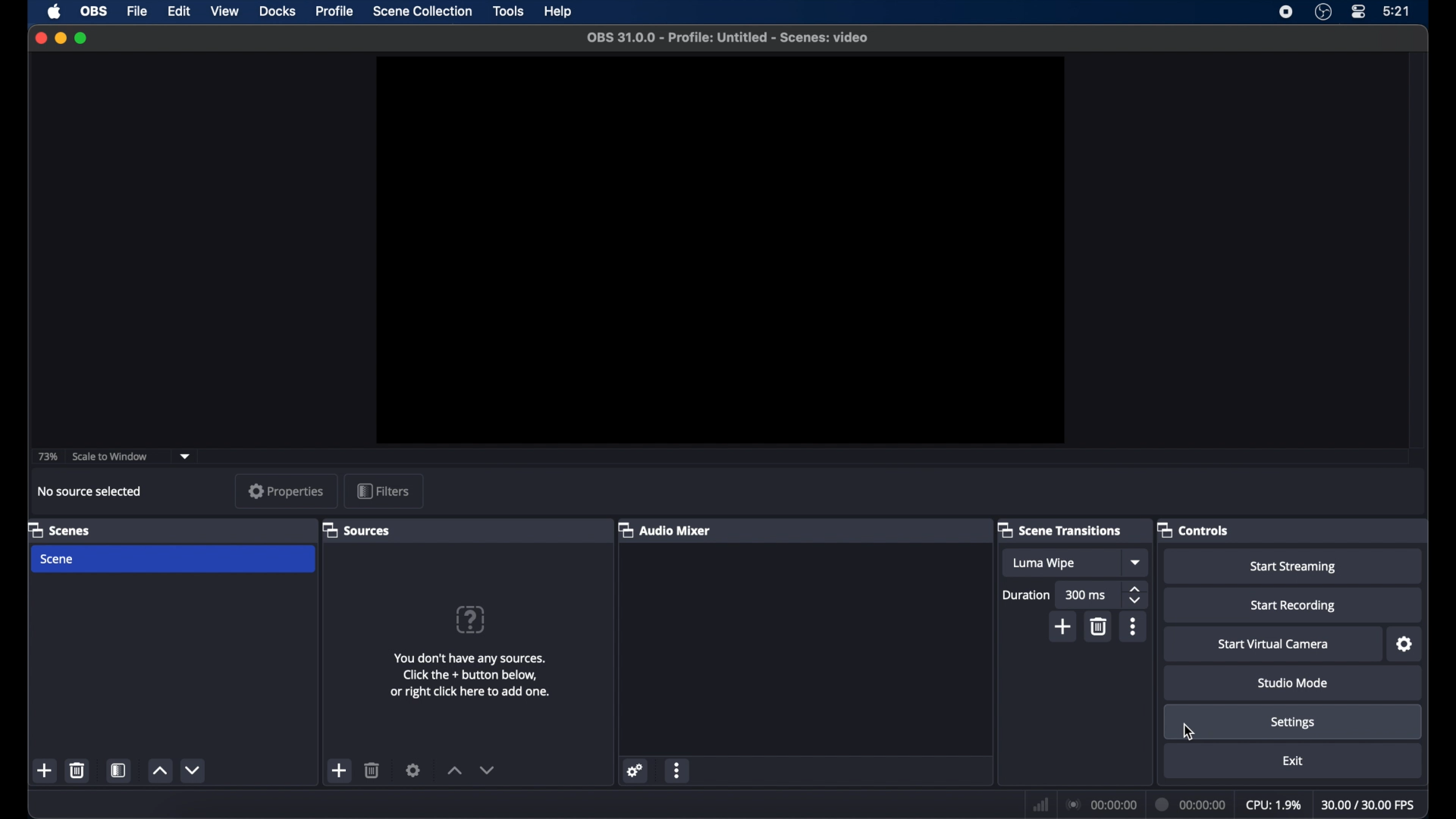 This screenshot has width=1456, height=819. Describe the element at coordinates (41, 36) in the screenshot. I see `close` at that location.